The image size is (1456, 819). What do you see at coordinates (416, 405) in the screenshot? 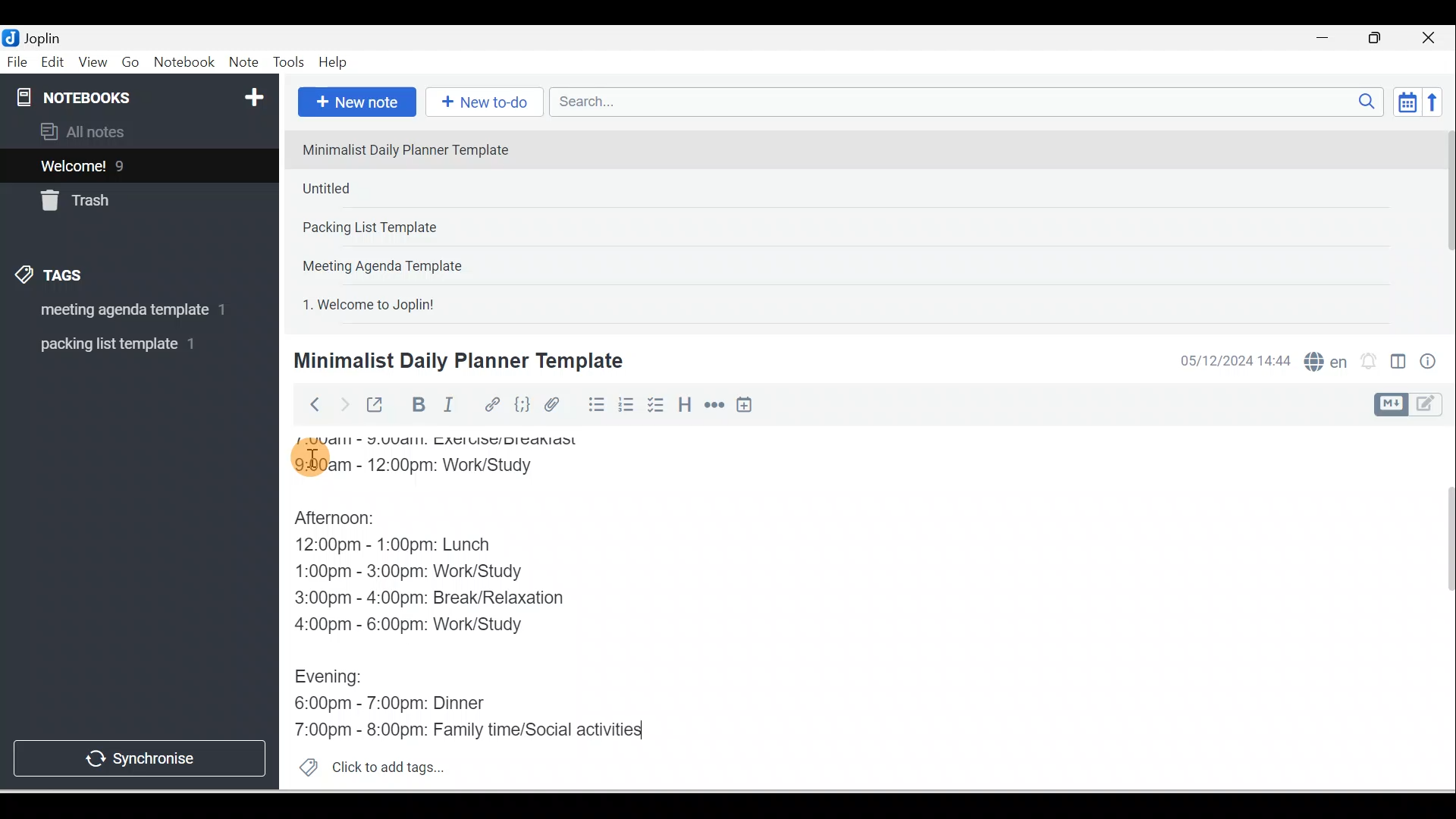
I see `Bold` at bounding box center [416, 405].